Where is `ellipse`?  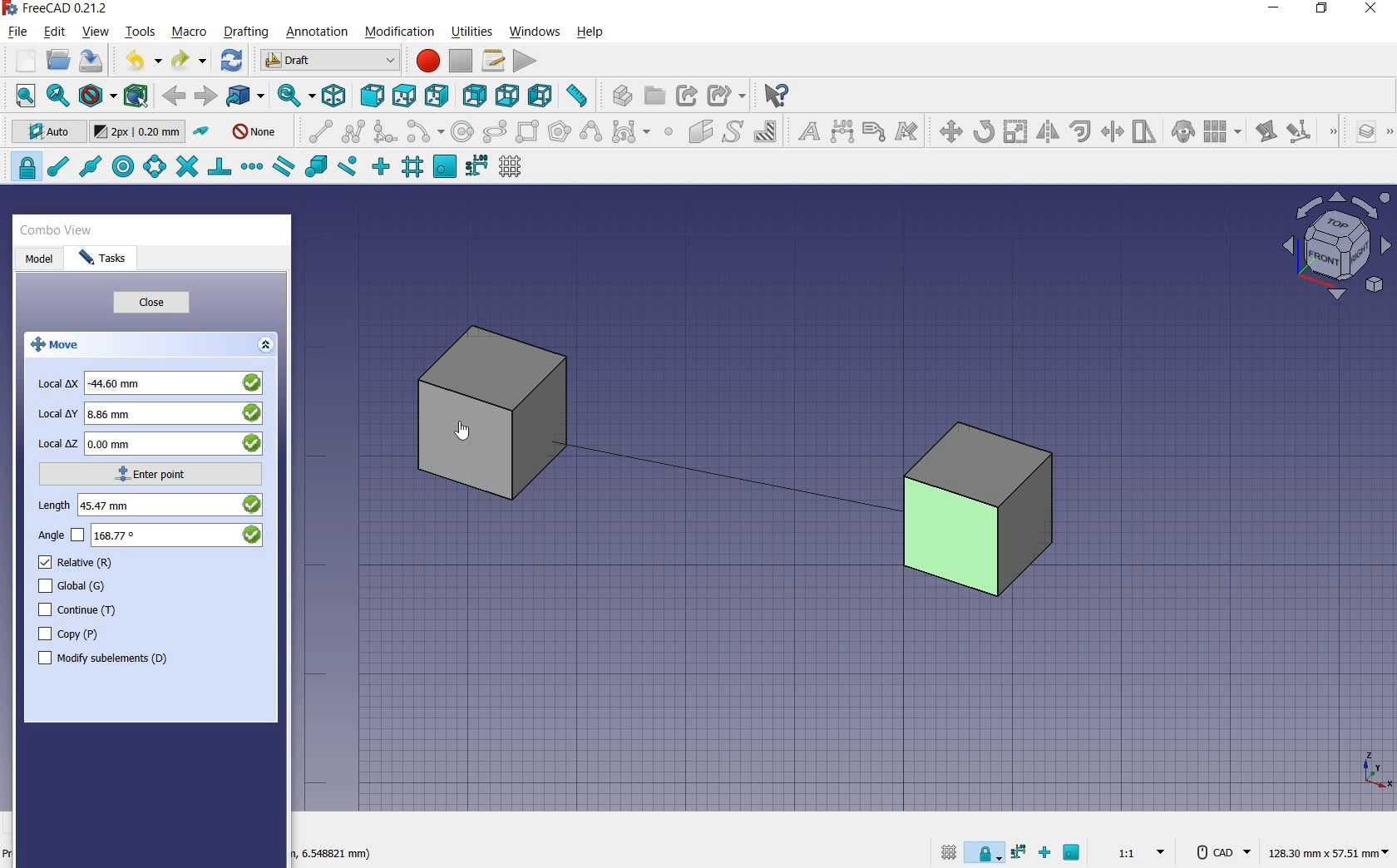 ellipse is located at coordinates (496, 132).